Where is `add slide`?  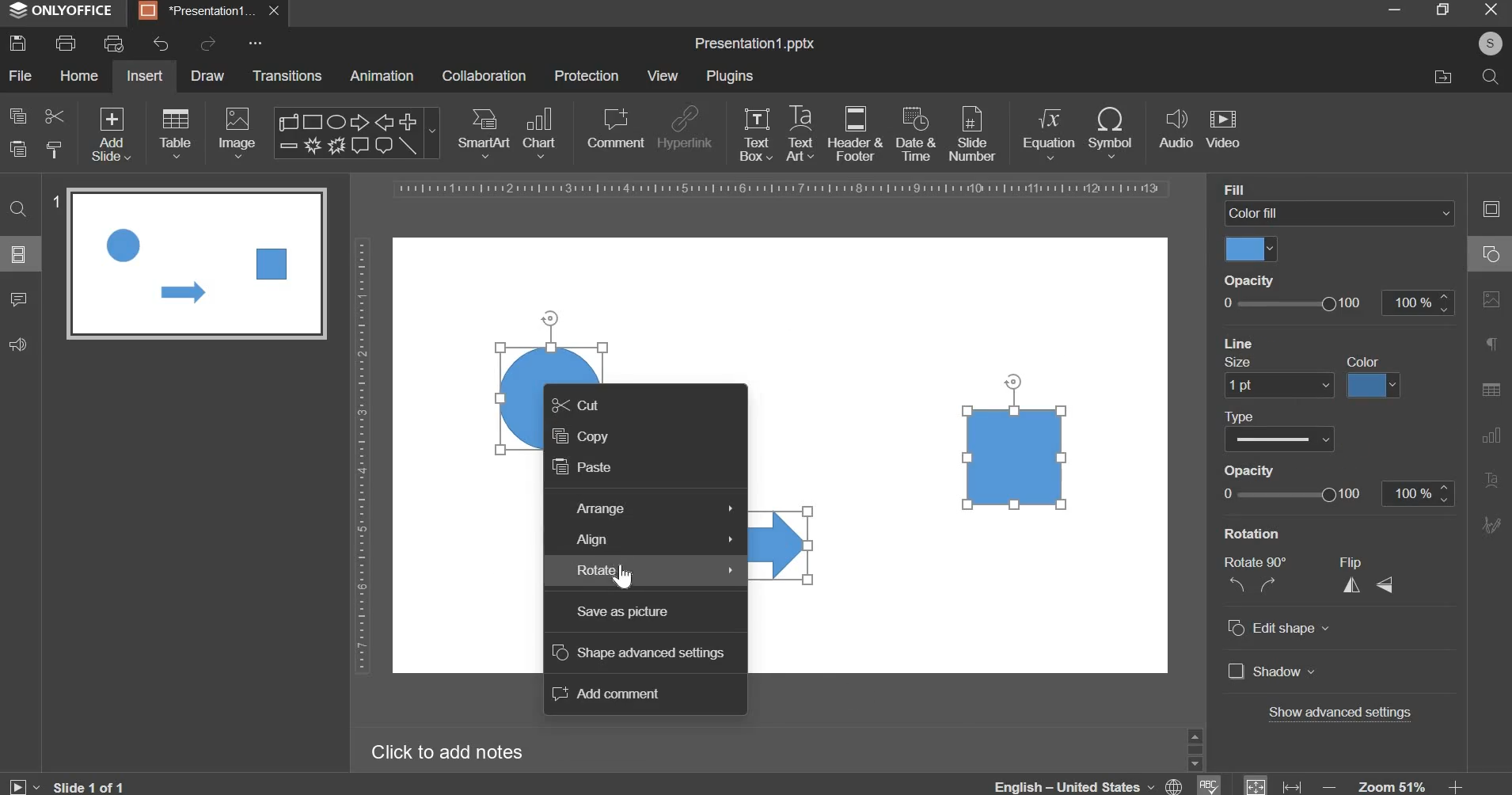 add slide is located at coordinates (112, 135).